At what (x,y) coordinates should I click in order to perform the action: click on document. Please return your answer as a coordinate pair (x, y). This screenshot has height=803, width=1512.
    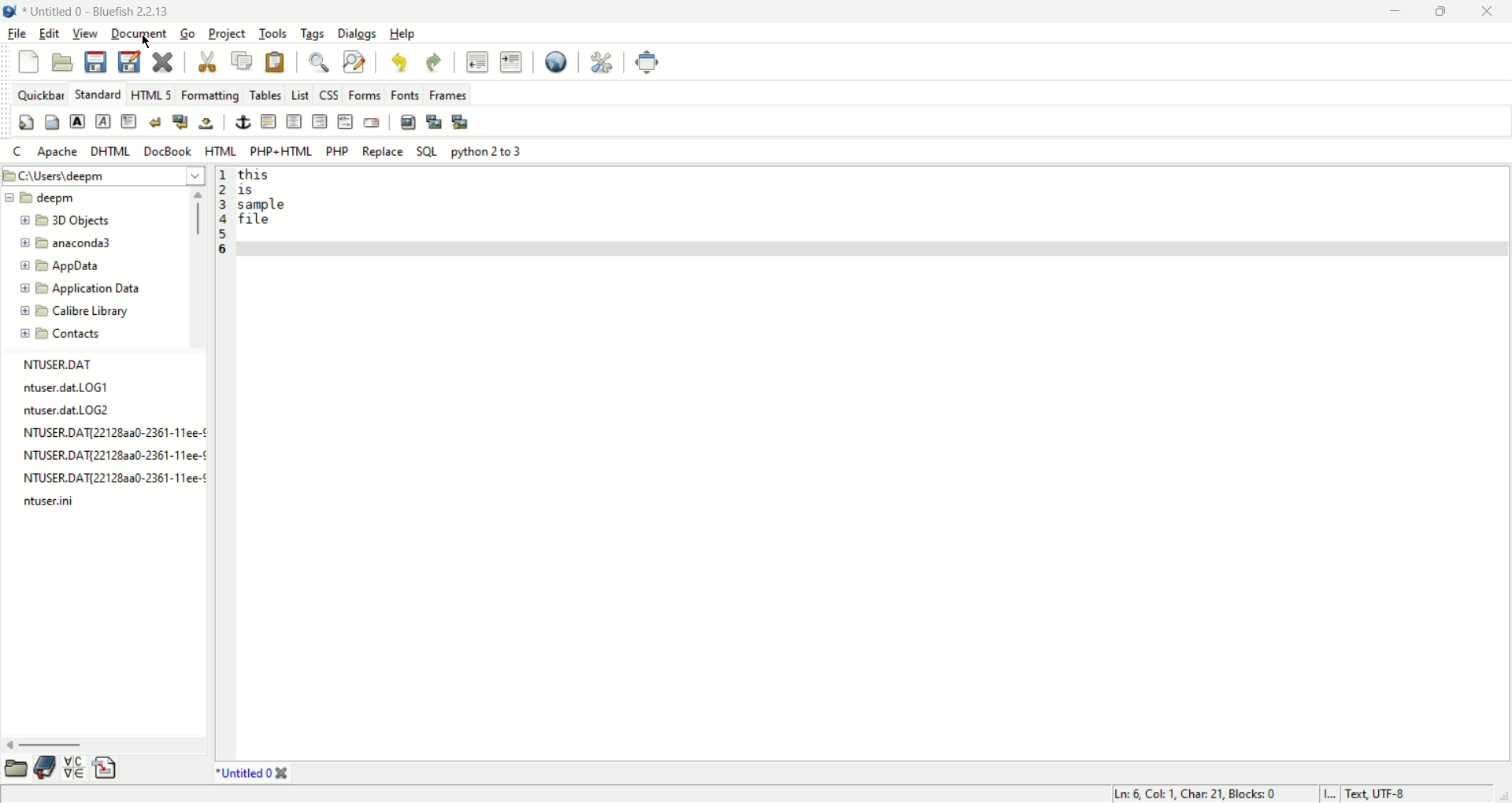
    Looking at the image, I should click on (142, 34).